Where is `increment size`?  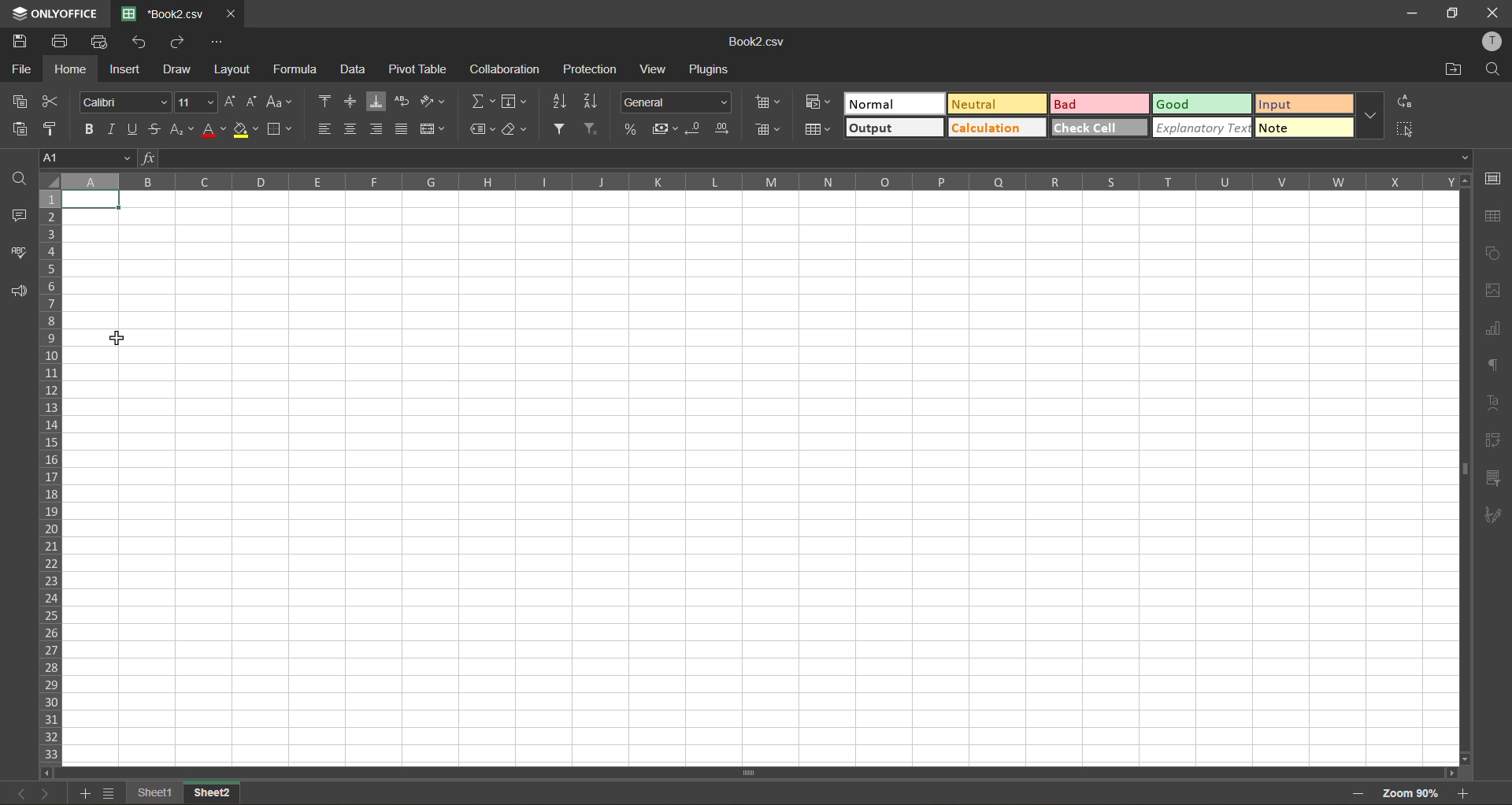 increment size is located at coordinates (228, 102).